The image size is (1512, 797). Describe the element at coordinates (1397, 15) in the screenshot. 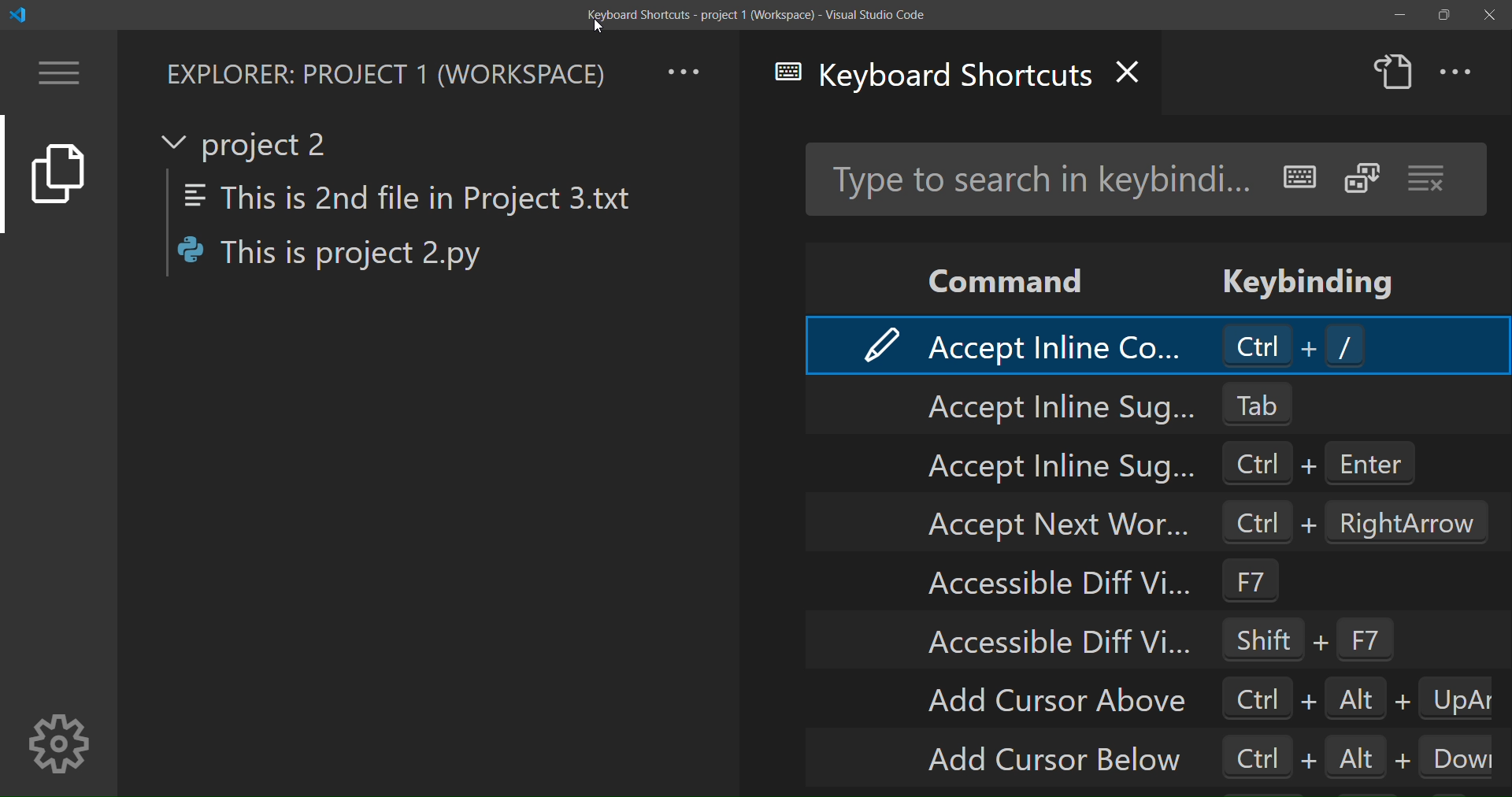

I see `minimize` at that location.